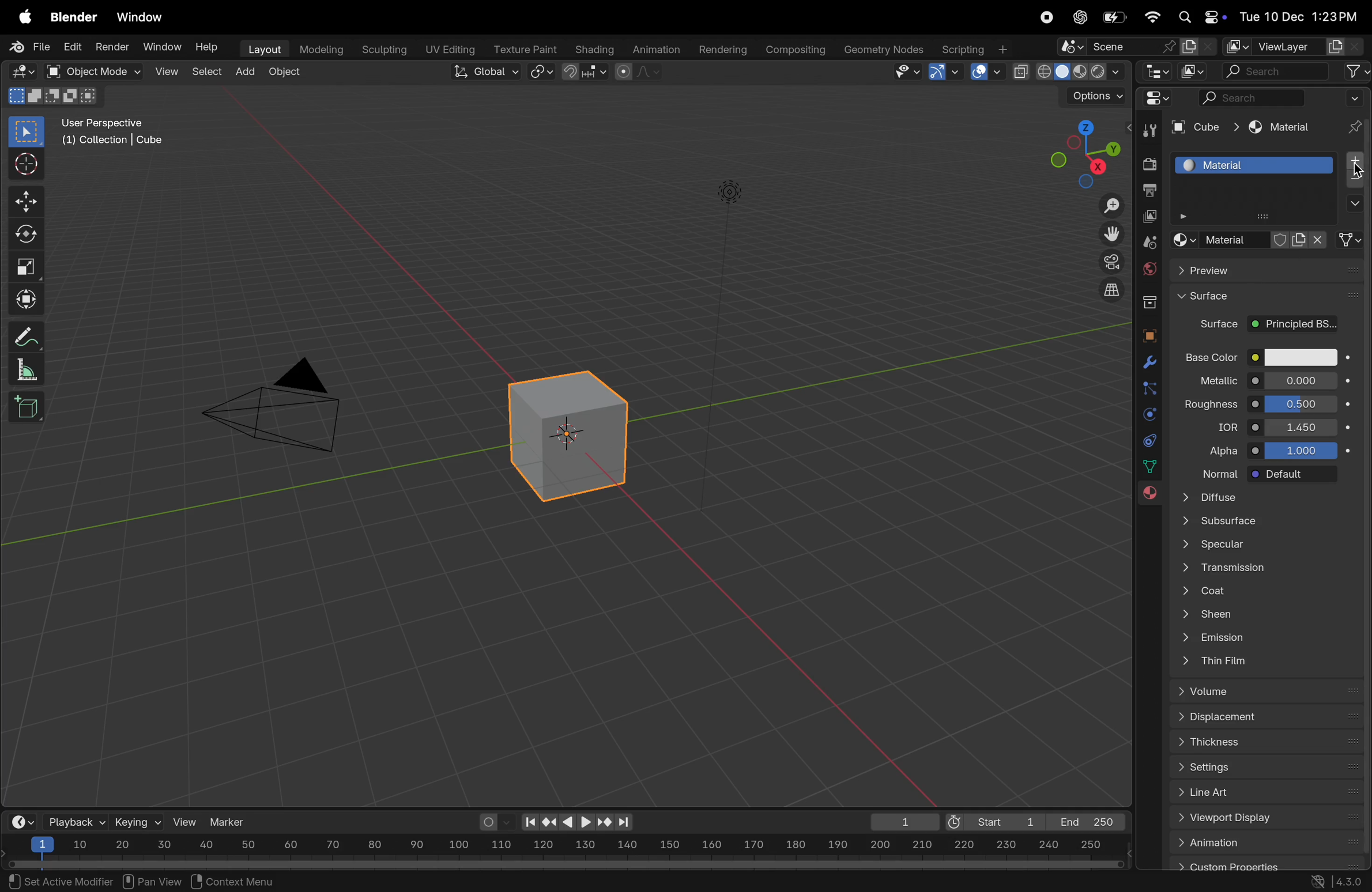 Image resolution: width=1372 pixels, height=892 pixels. Describe the element at coordinates (658, 48) in the screenshot. I see `Animation` at that location.